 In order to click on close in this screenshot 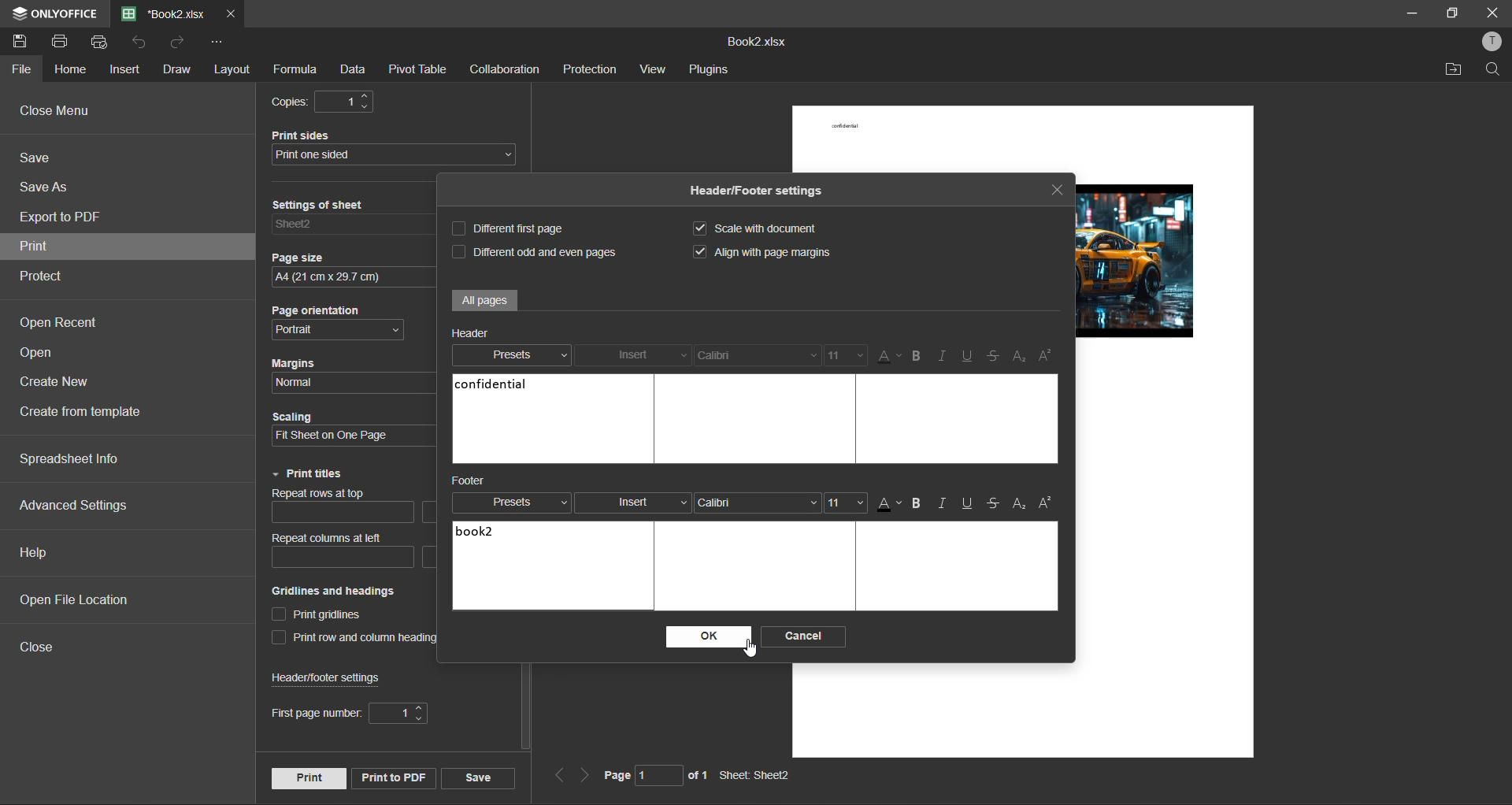, I will do `click(39, 647)`.